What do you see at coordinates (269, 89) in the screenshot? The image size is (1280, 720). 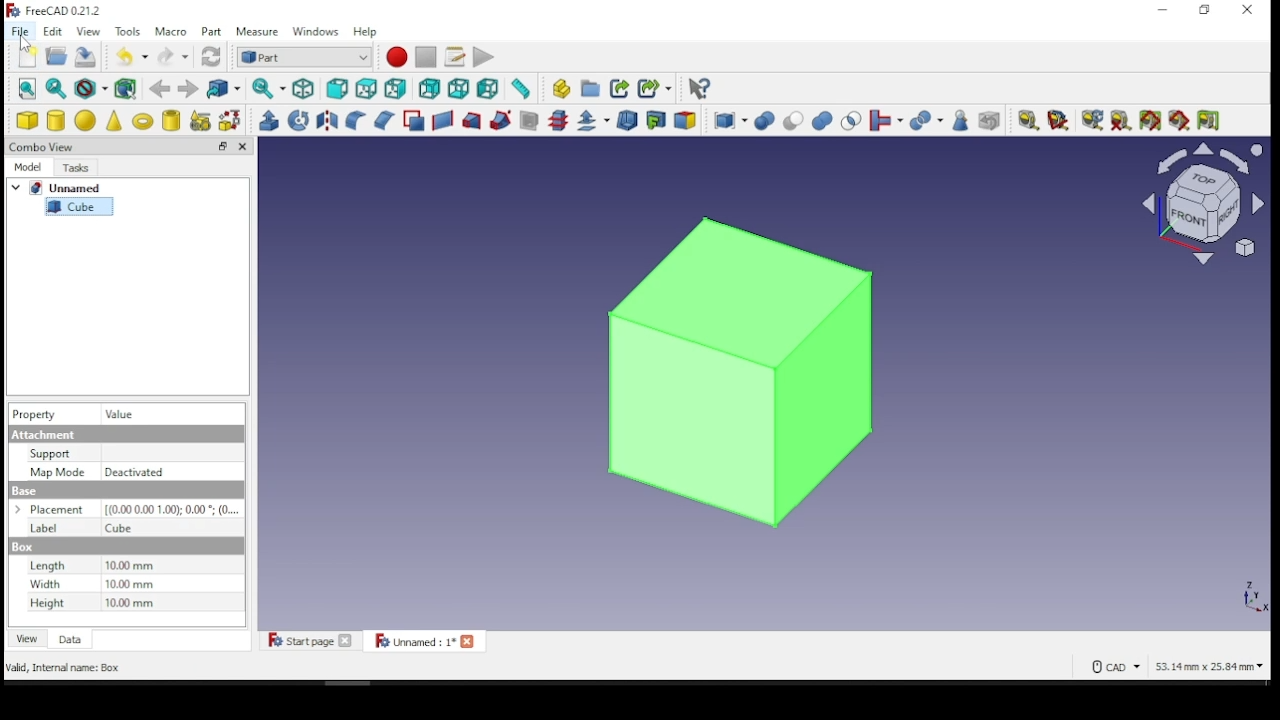 I see `sync view` at bounding box center [269, 89].